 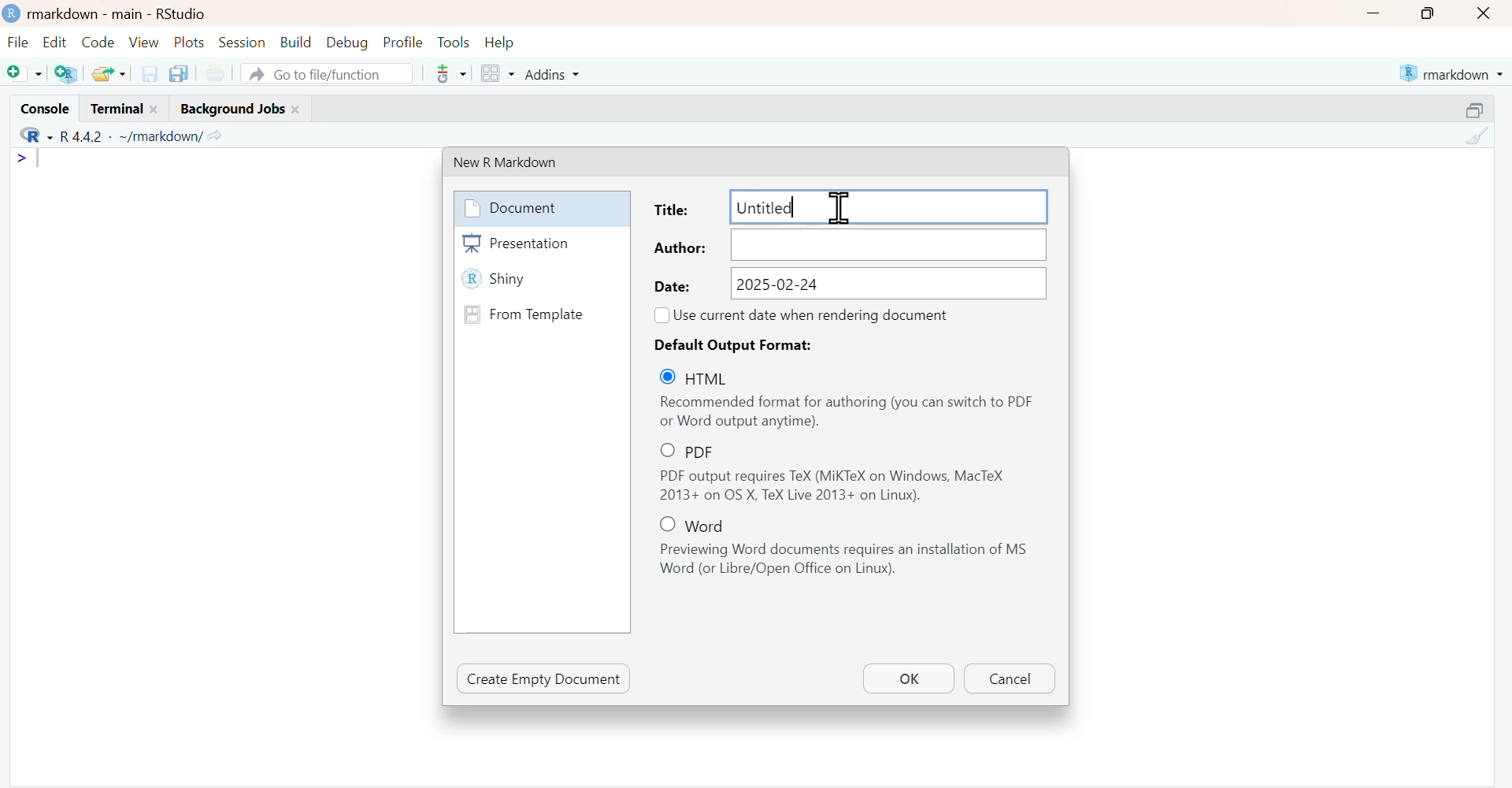 What do you see at coordinates (740, 344) in the screenshot?
I see `Default Output Format:` at bounding box center [740, 344].